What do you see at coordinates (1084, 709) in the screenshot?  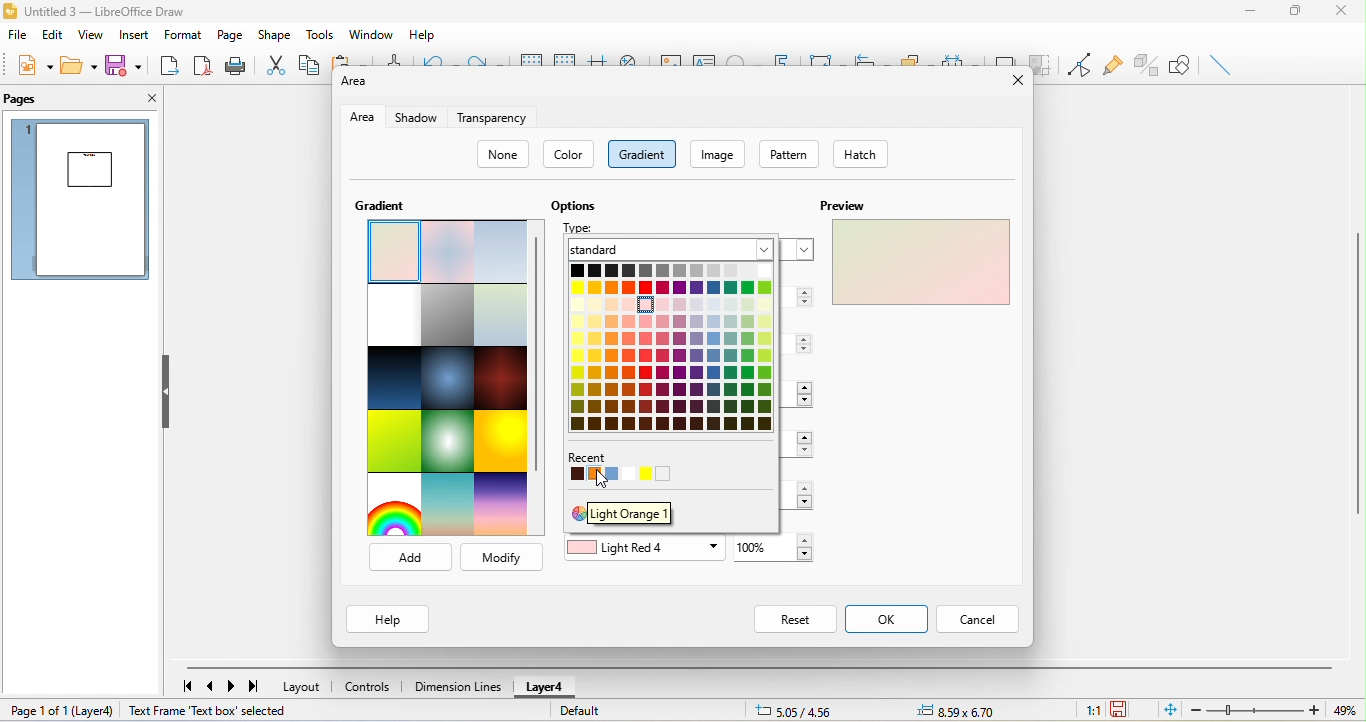 I see `1:1` at bounding box center [1084, 709].